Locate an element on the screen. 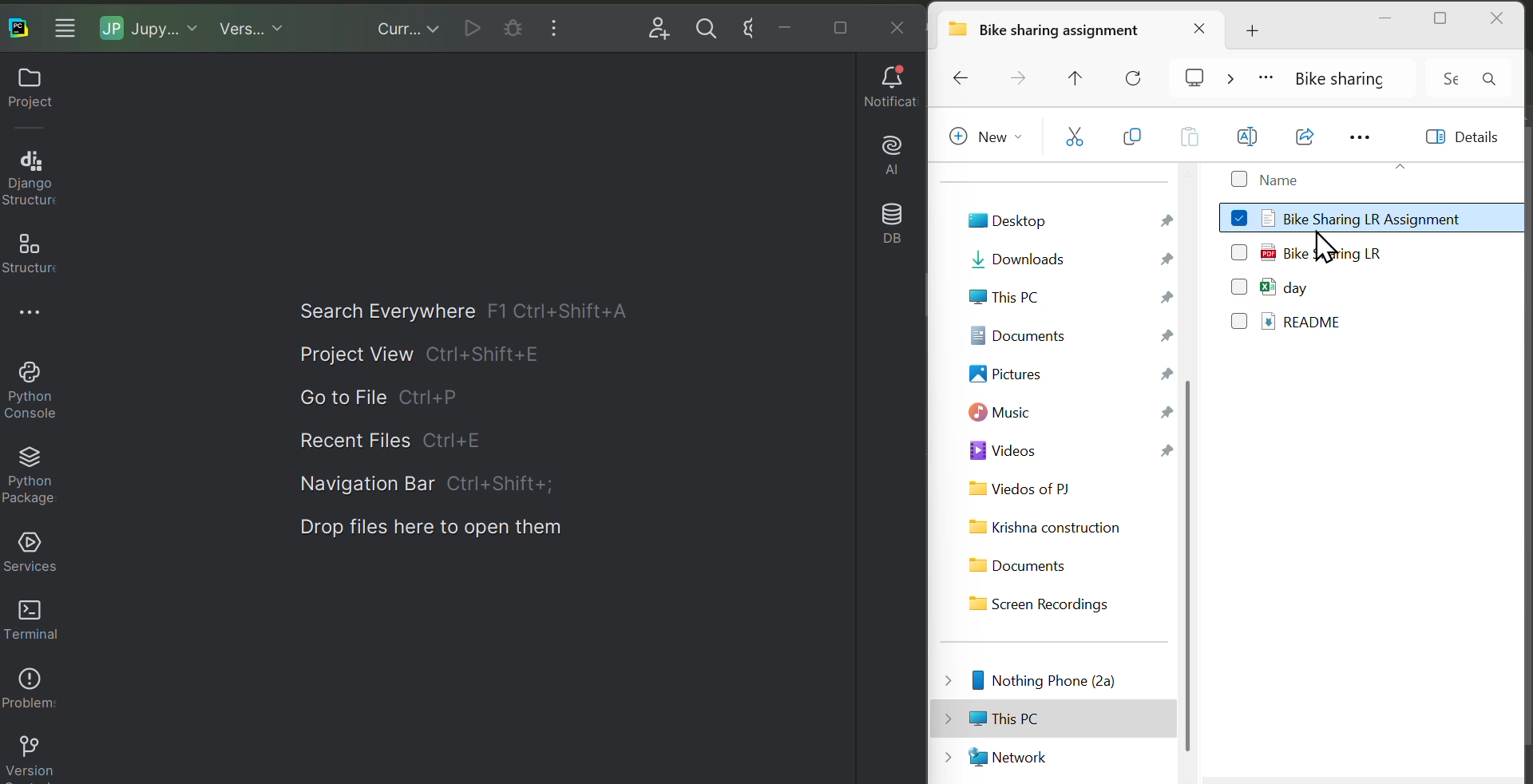 Image resolution: width=1533 pixels, height=784 pixels. Add is located at coordinates (1269, 26).